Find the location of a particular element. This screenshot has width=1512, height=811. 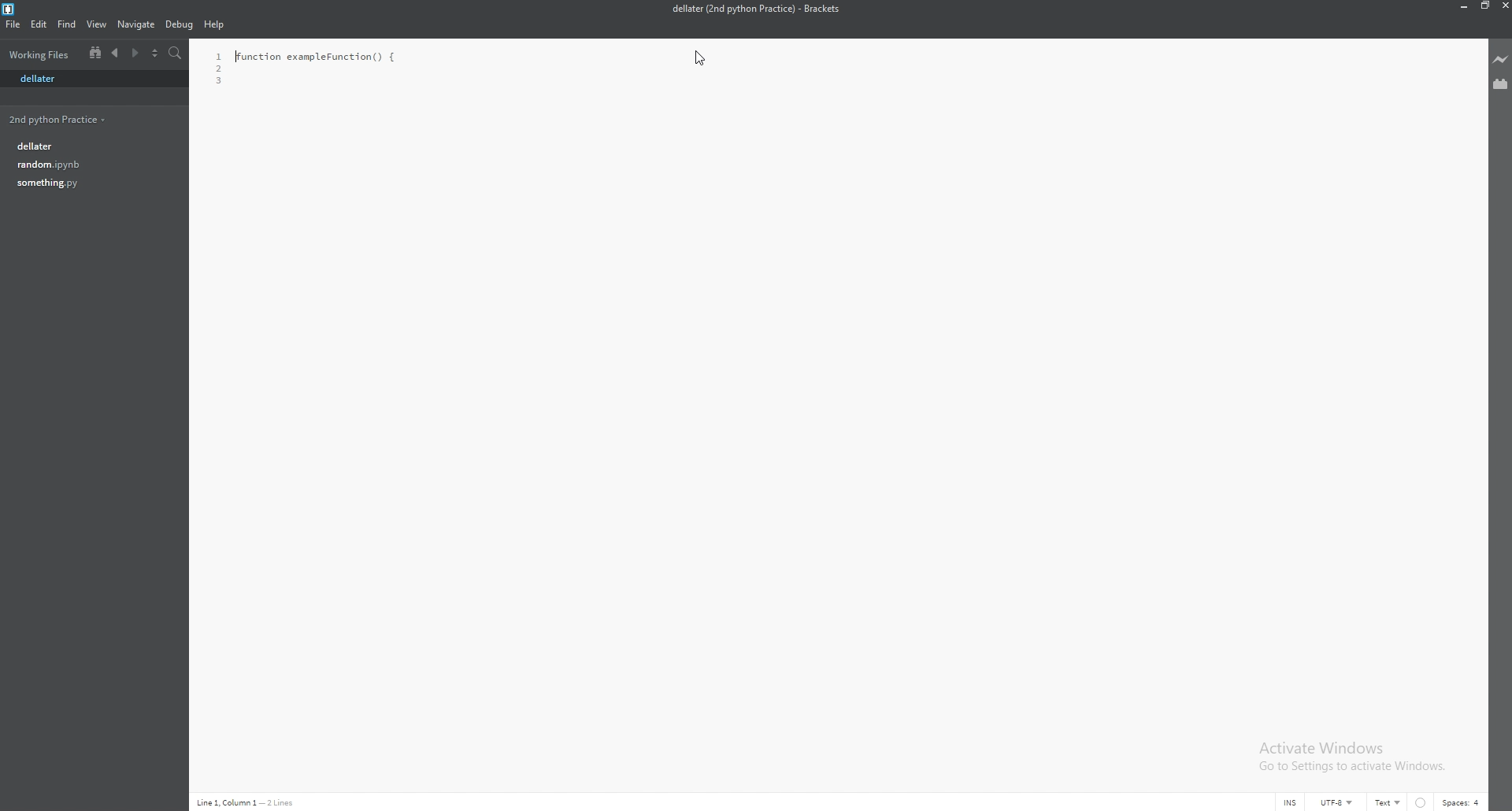

INS is located at coordinates (1288, 802).